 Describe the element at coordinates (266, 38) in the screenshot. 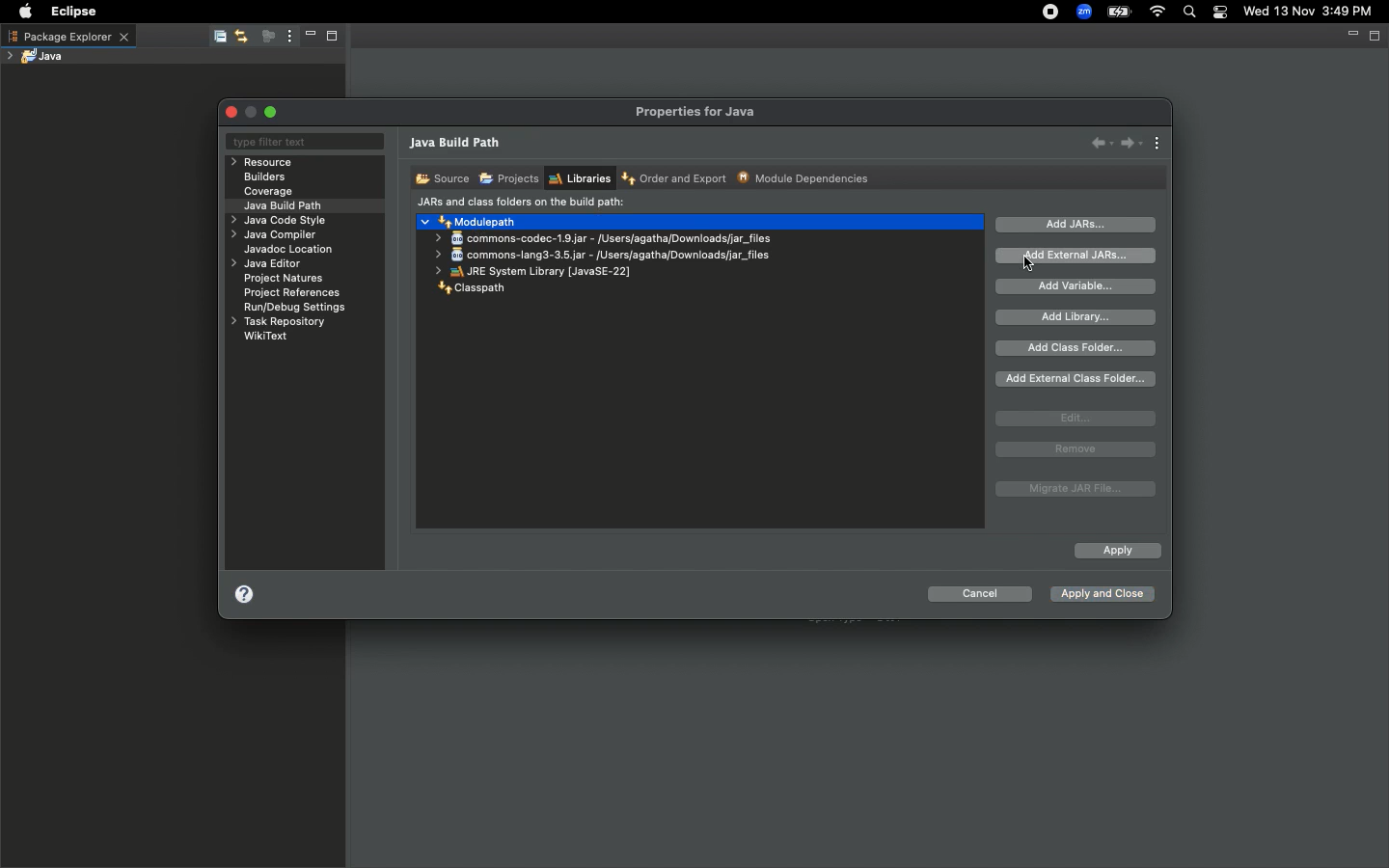

I see `Focus on active task` at that location.